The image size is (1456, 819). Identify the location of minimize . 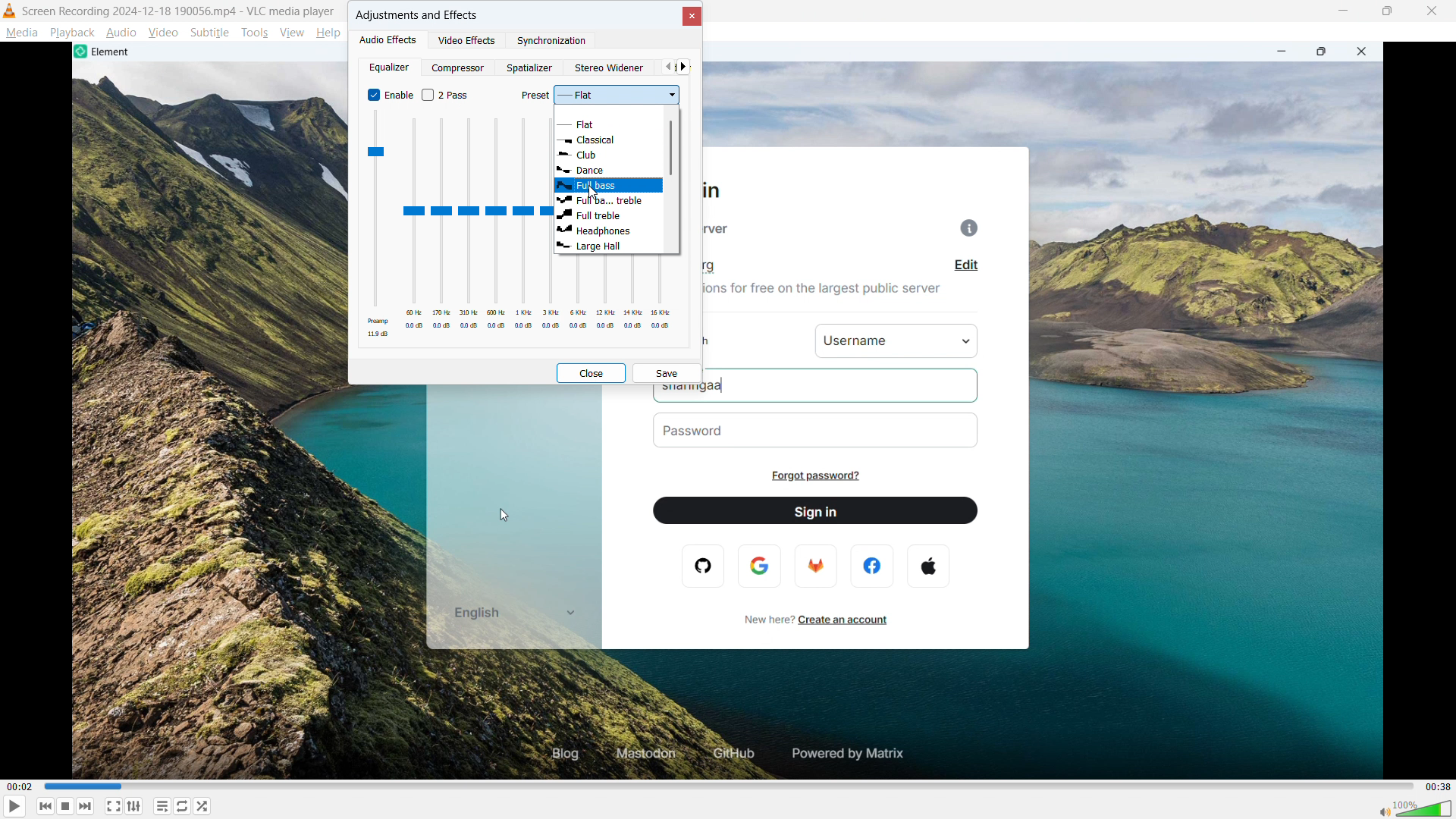
(1345, 12).